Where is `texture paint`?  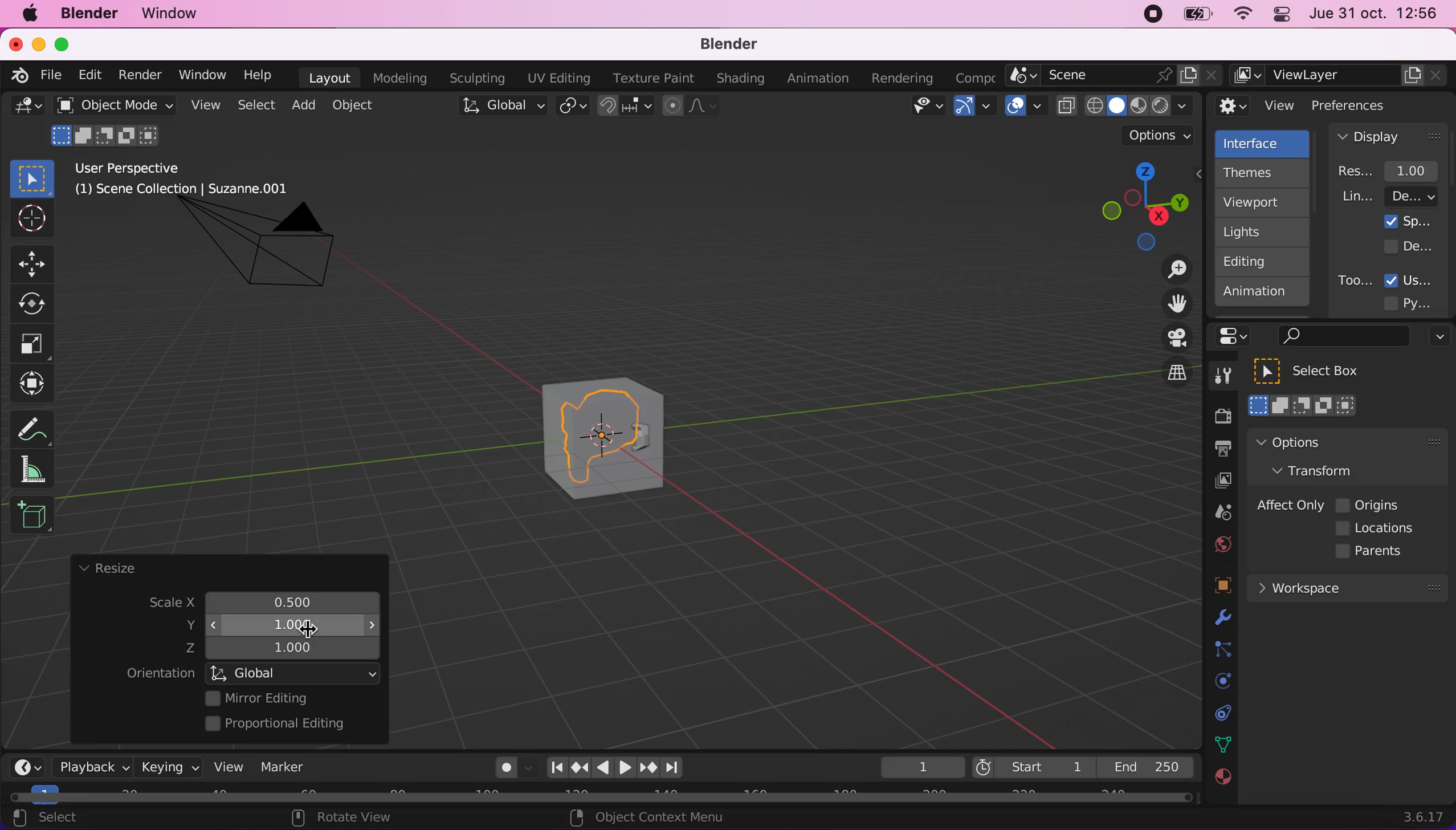 texture paint is located at coordinates (651, 78).